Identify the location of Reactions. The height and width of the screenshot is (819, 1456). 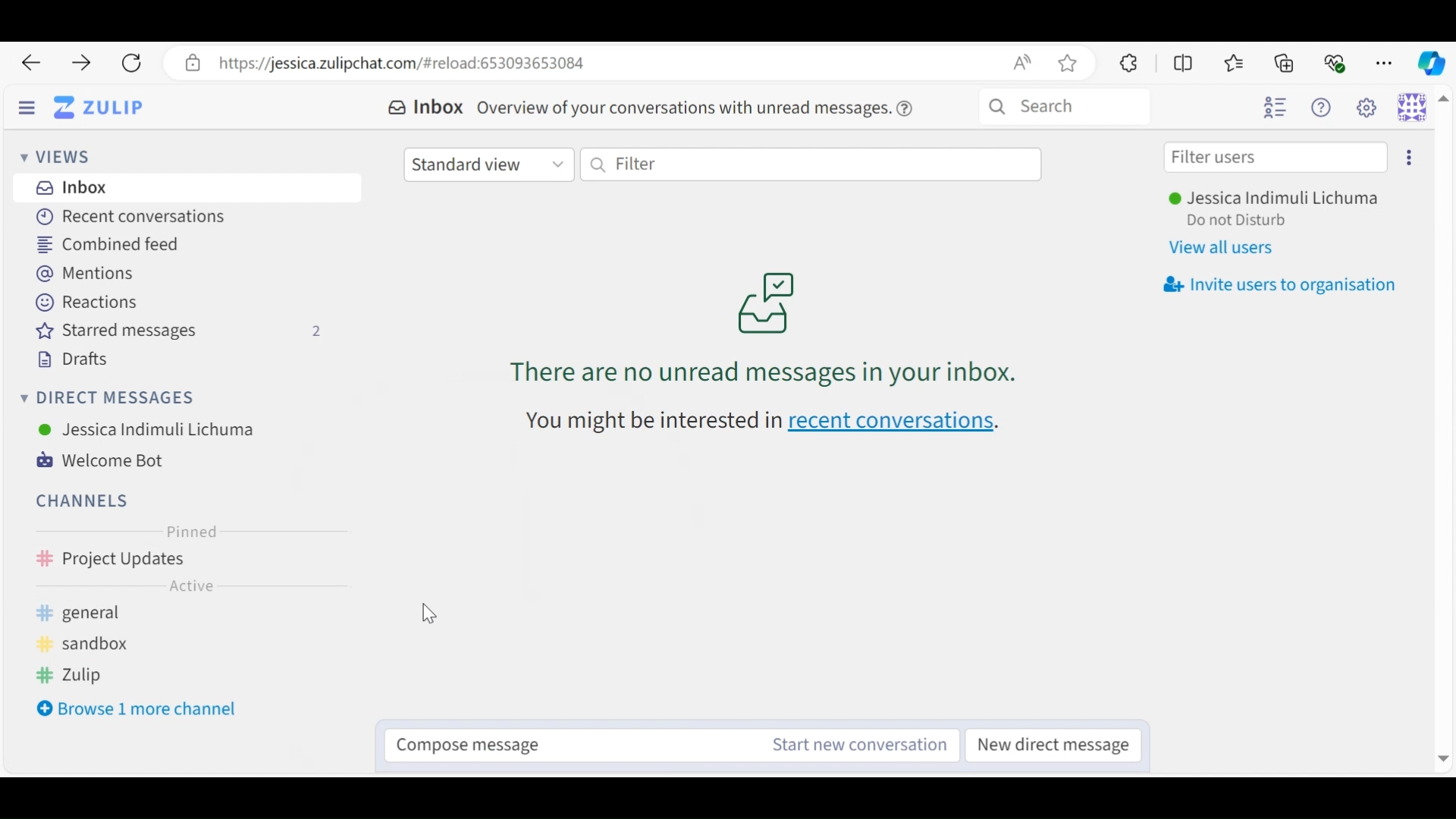
(83, 302).